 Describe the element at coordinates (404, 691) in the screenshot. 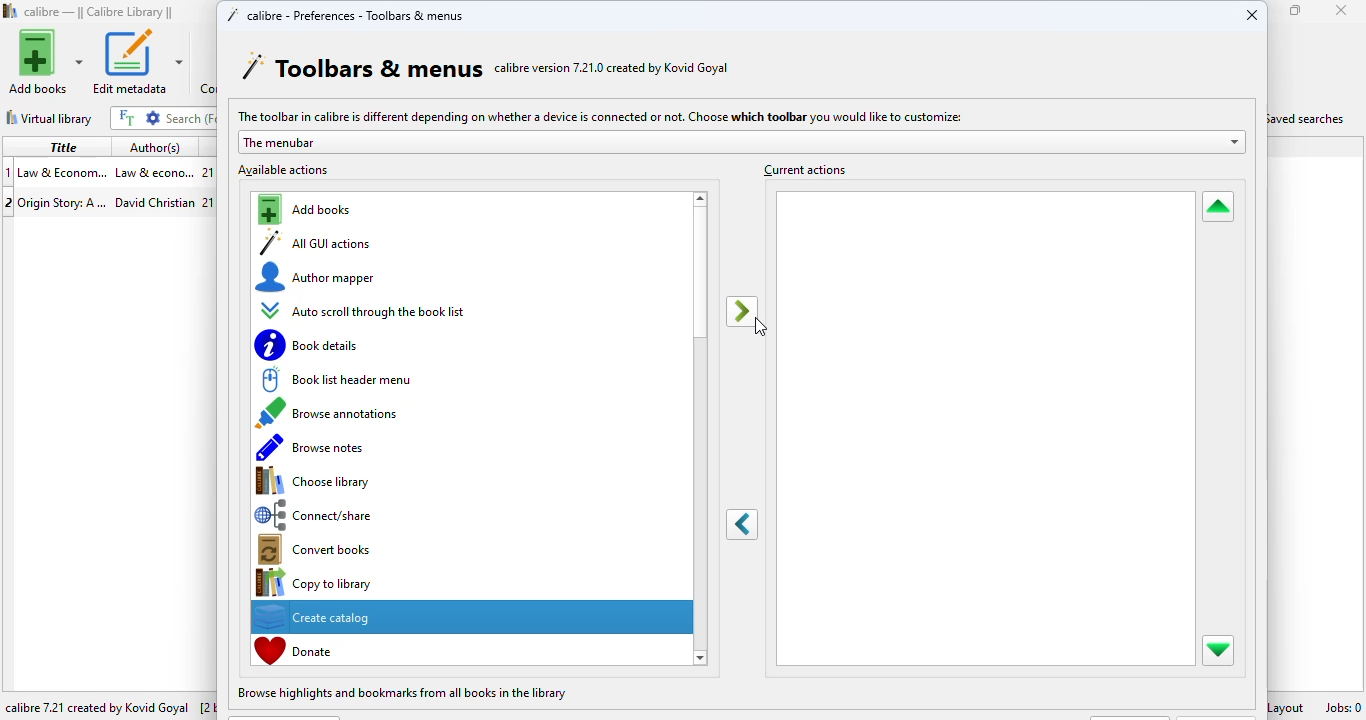

I see `browse highlights and bookmarks from all books in the library` at that location.